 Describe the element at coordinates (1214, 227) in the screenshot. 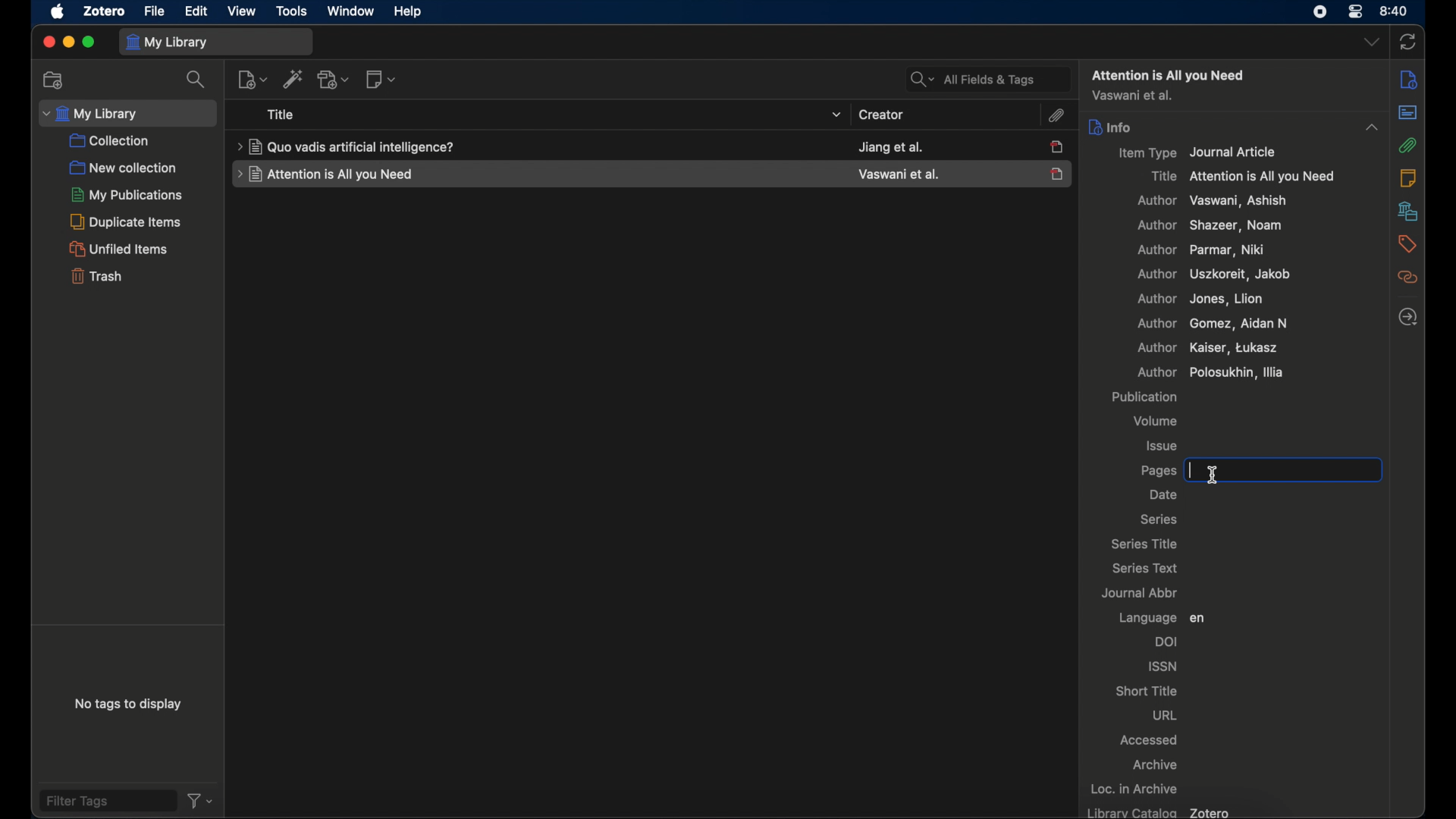

I see `author shaker, noam` at that location.